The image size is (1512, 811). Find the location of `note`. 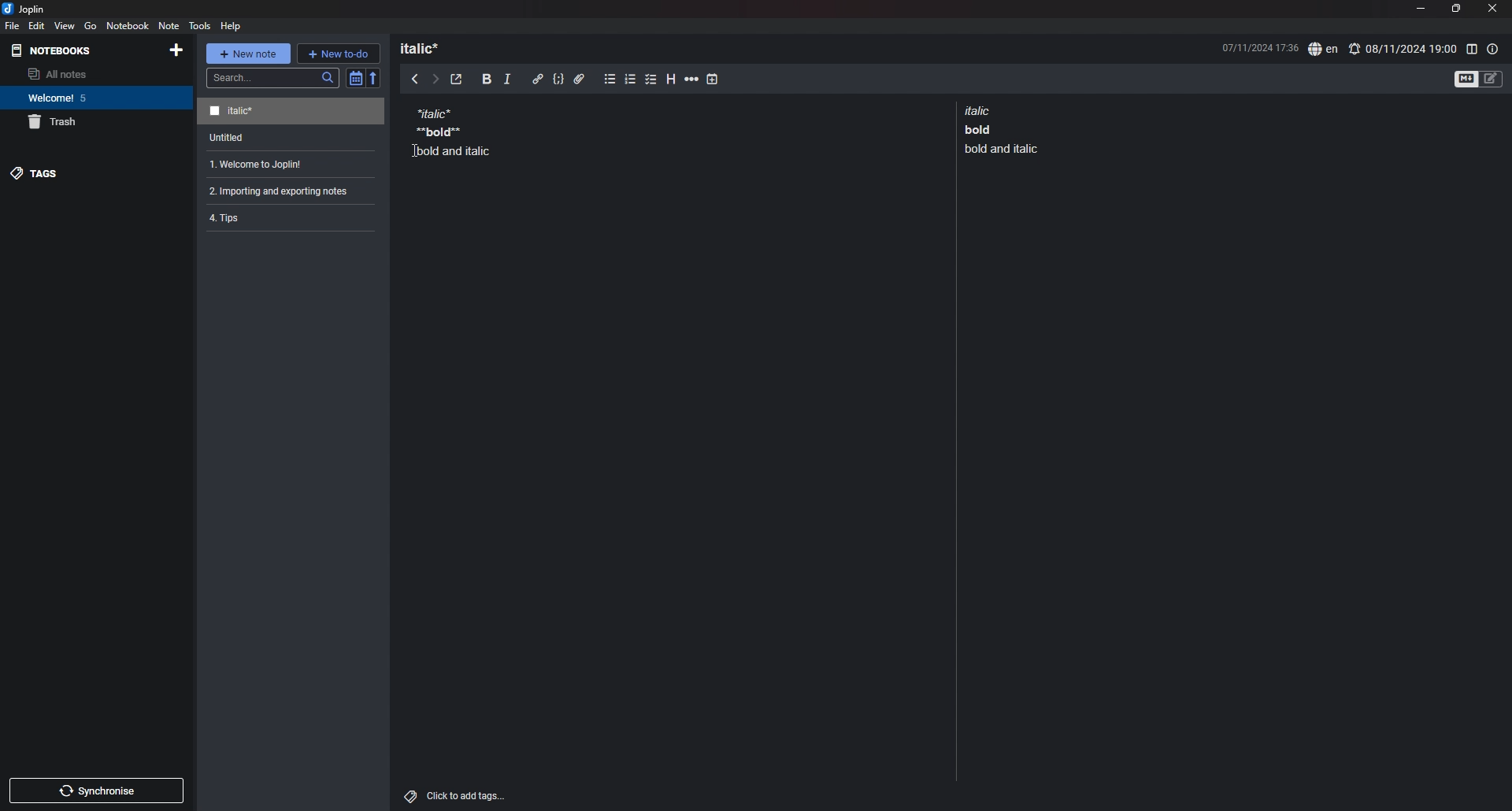

note is located at coordinates (1005, 129).